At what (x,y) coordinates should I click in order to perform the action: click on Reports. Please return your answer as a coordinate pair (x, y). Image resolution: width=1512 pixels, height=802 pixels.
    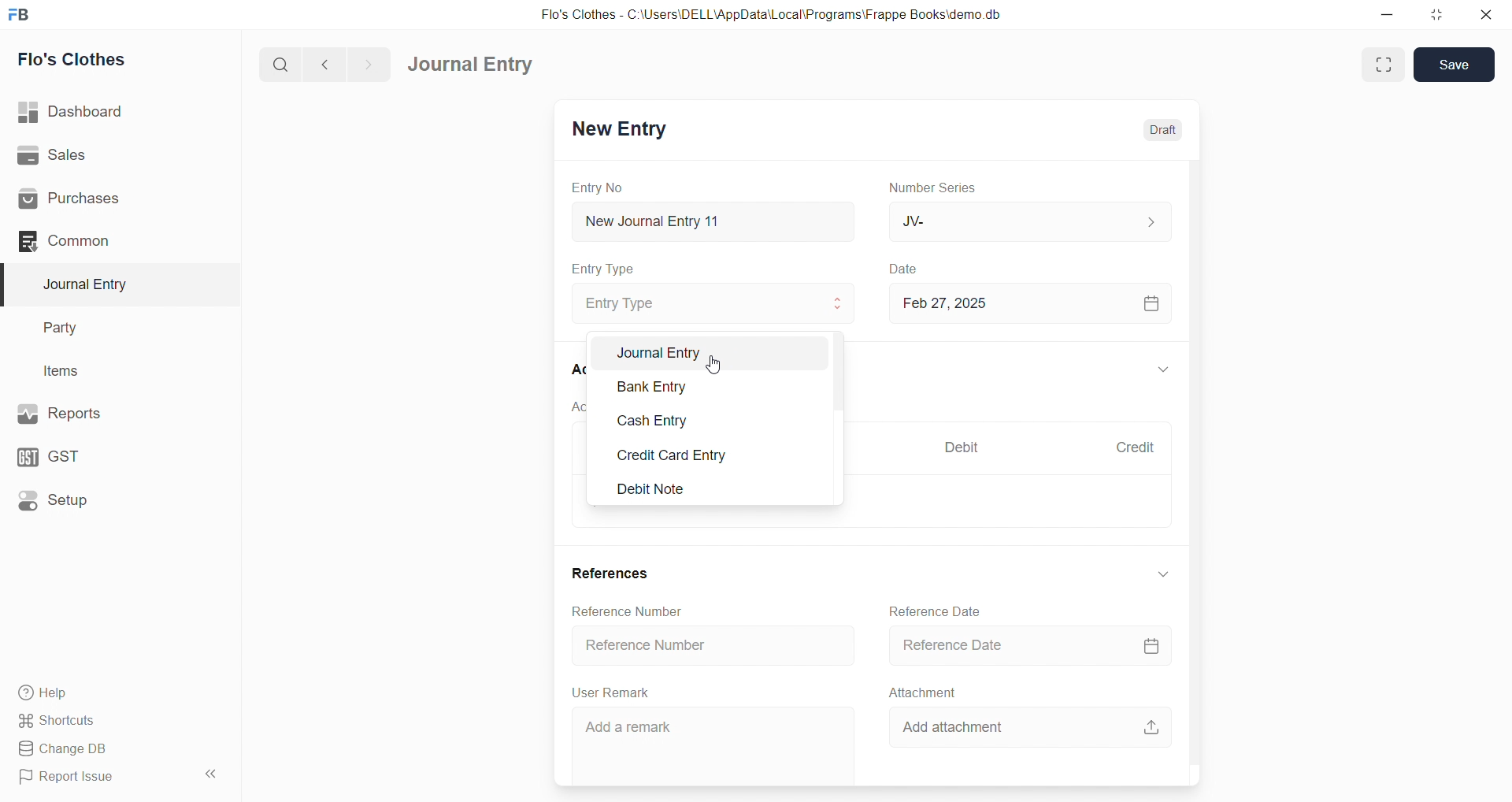
    Looking at the image, I should click on (93, 414).